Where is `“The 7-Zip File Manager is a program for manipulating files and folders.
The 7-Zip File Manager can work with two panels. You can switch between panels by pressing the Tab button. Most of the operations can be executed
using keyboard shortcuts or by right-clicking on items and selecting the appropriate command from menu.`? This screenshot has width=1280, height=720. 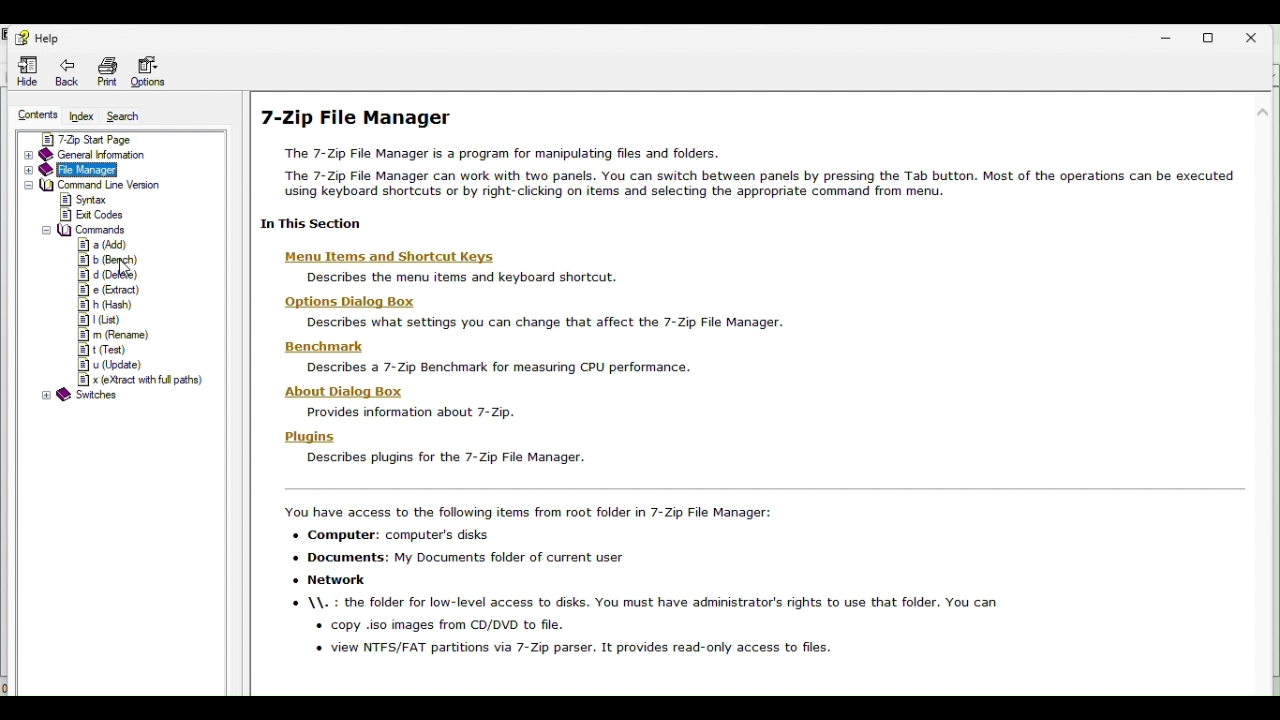
“The 7-Zip File Manager is a program for manipulating files and folders.
The 7-Zip File Manager can work with two panels. You can switch between panels by pressing the Tab button. Most of the operations can be executed
using keyboard shortcuts or by right-clicking on items and selecting the appropriate command from menu. is located at coordinates (757, 177).